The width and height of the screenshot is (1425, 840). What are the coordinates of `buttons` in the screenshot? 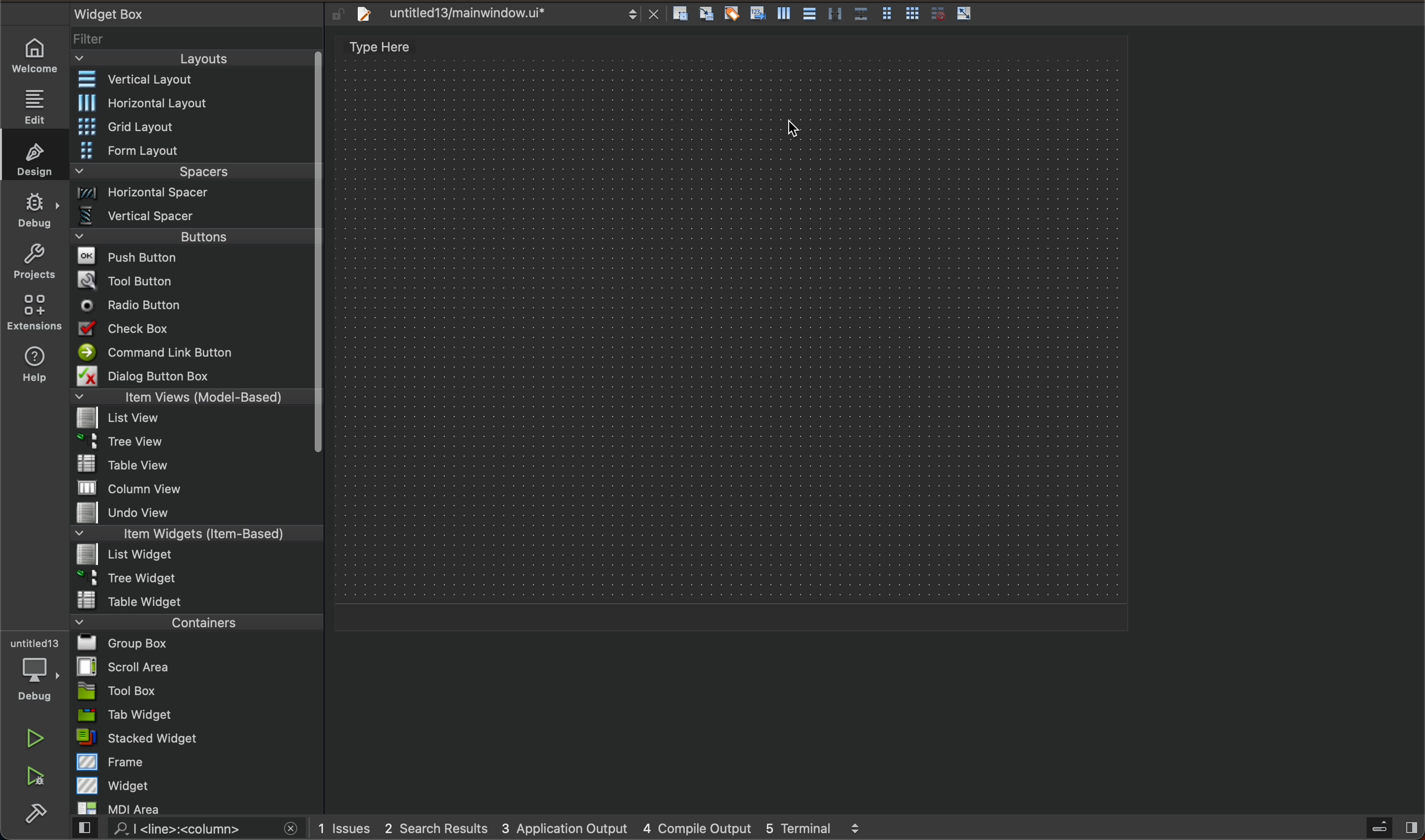 It's located at (200, 235).